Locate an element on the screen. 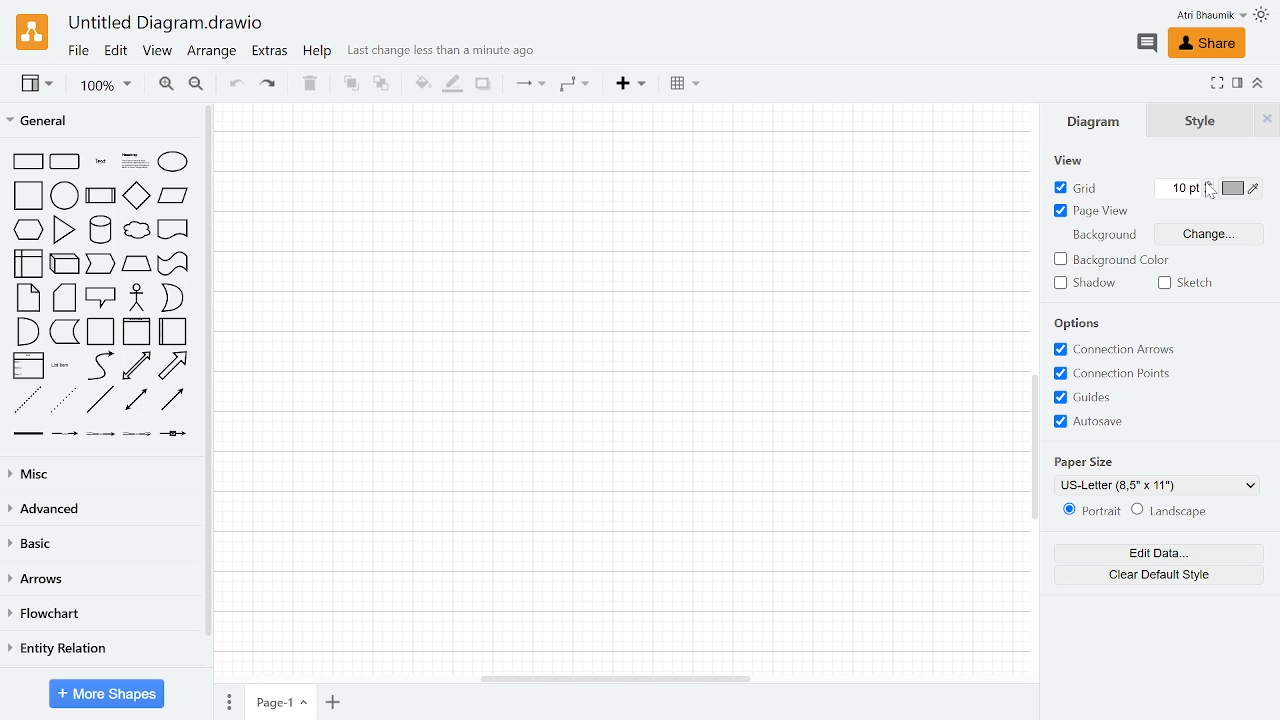 Image resolution: width=1280 pixels, height=720 pixels. grid is located at coordinates (1082, 187).